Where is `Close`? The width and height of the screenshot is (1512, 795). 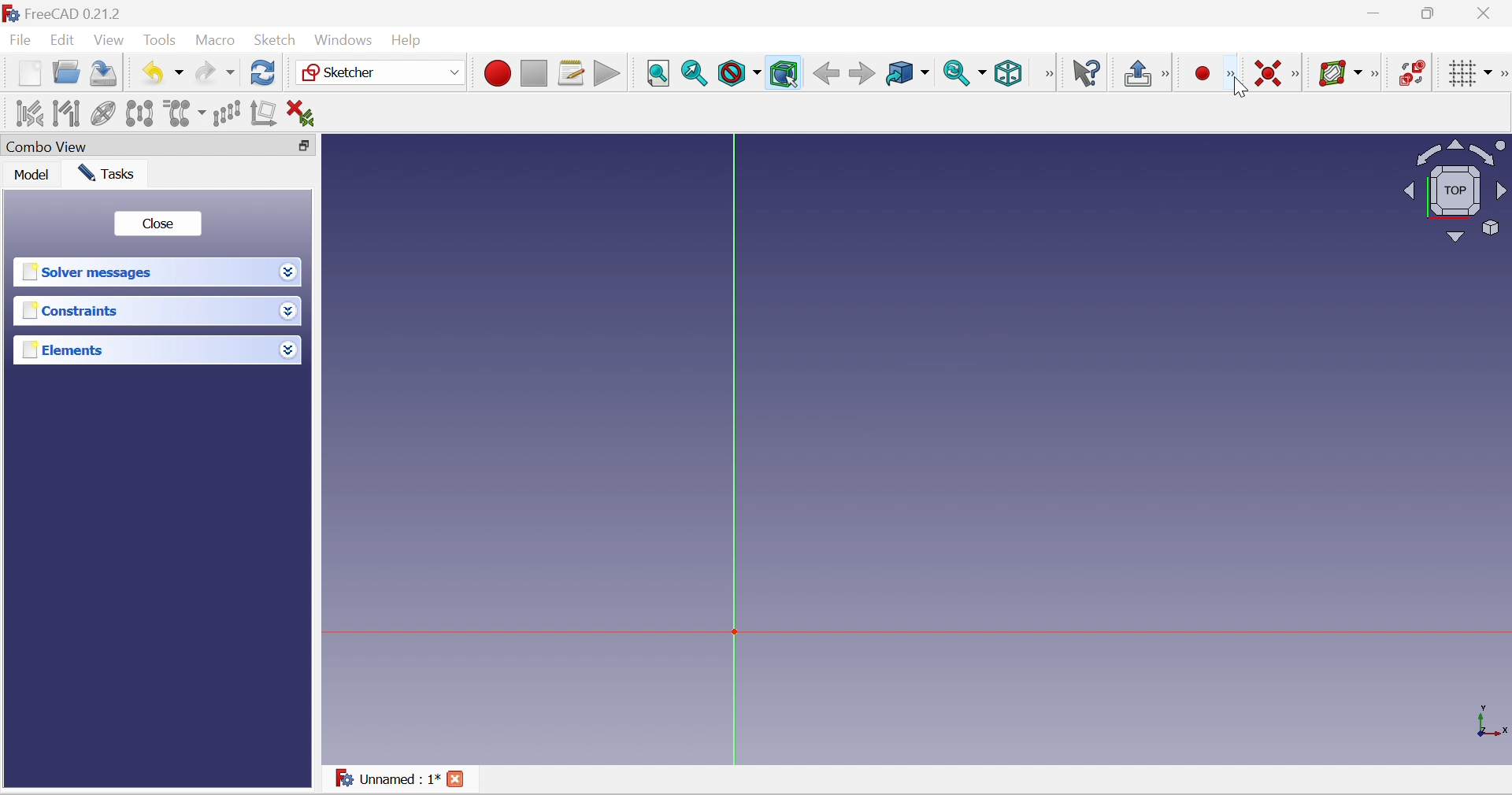 Close is located at coordinates (160, 224).